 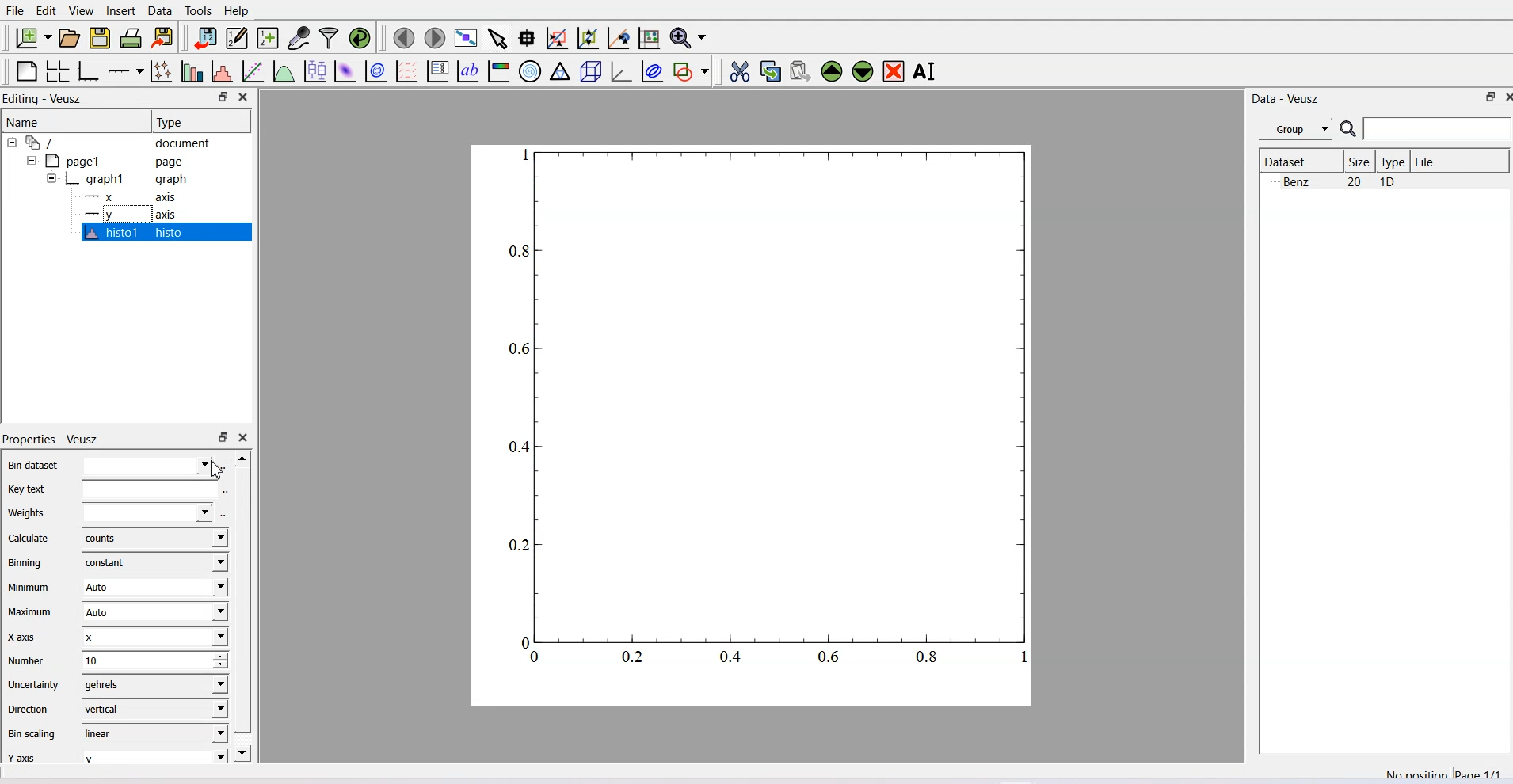 I want to click on Key text, so click(x=109, y=489).